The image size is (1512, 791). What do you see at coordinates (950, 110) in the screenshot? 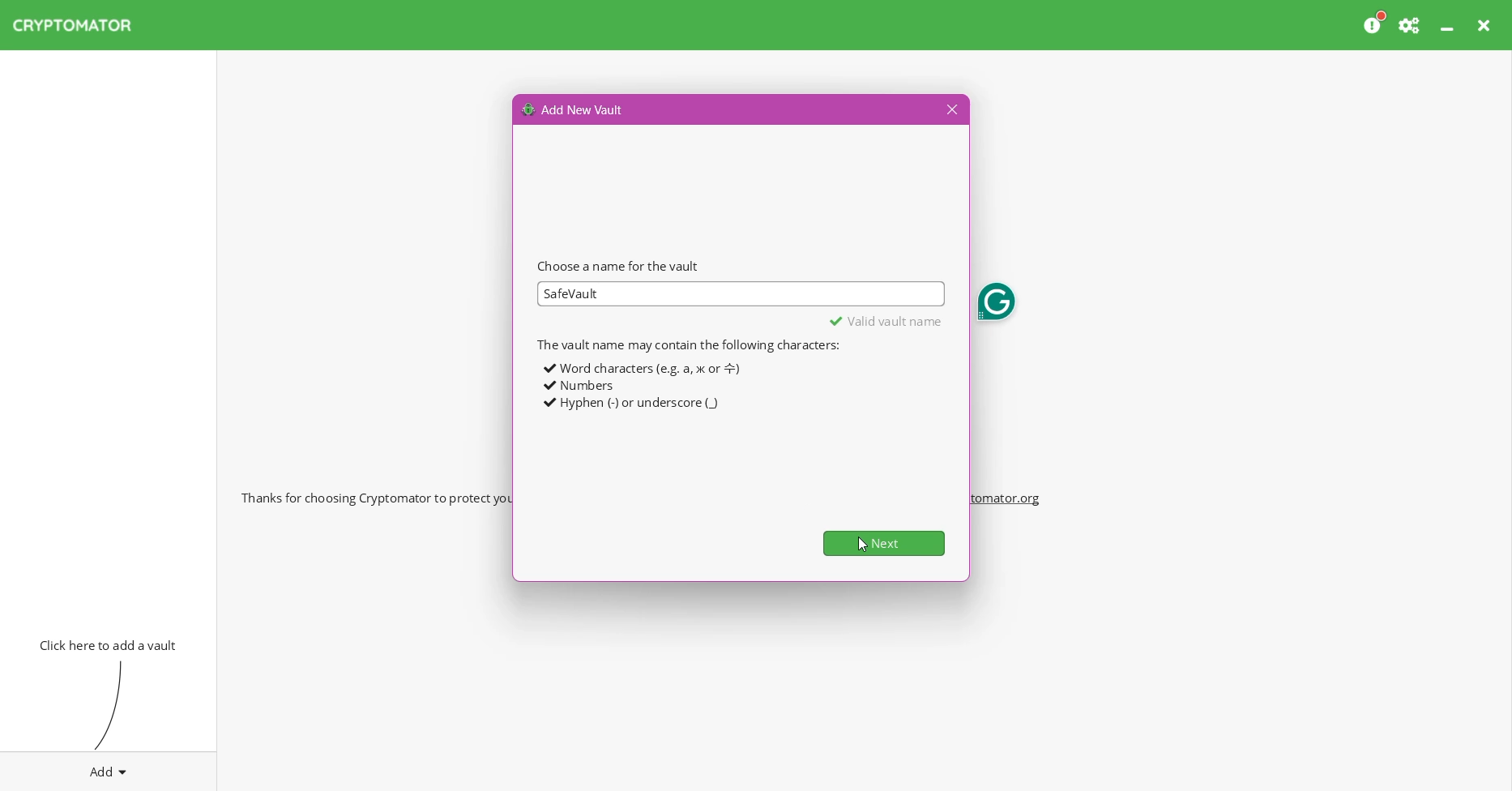
I see `Close` at bounding box center [950, 110].